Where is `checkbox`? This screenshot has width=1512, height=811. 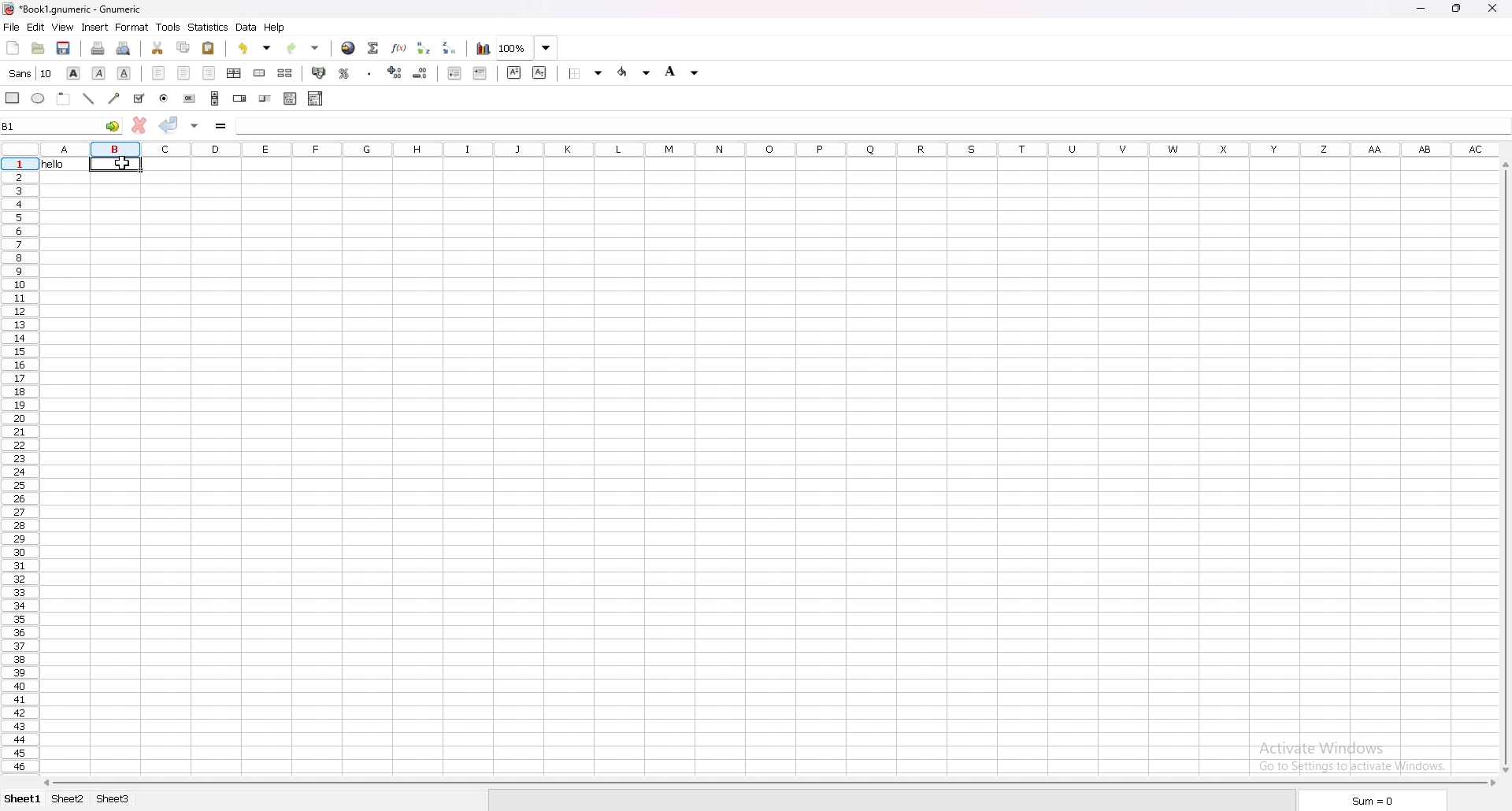
checkbox is located at coordinates (138, 98).